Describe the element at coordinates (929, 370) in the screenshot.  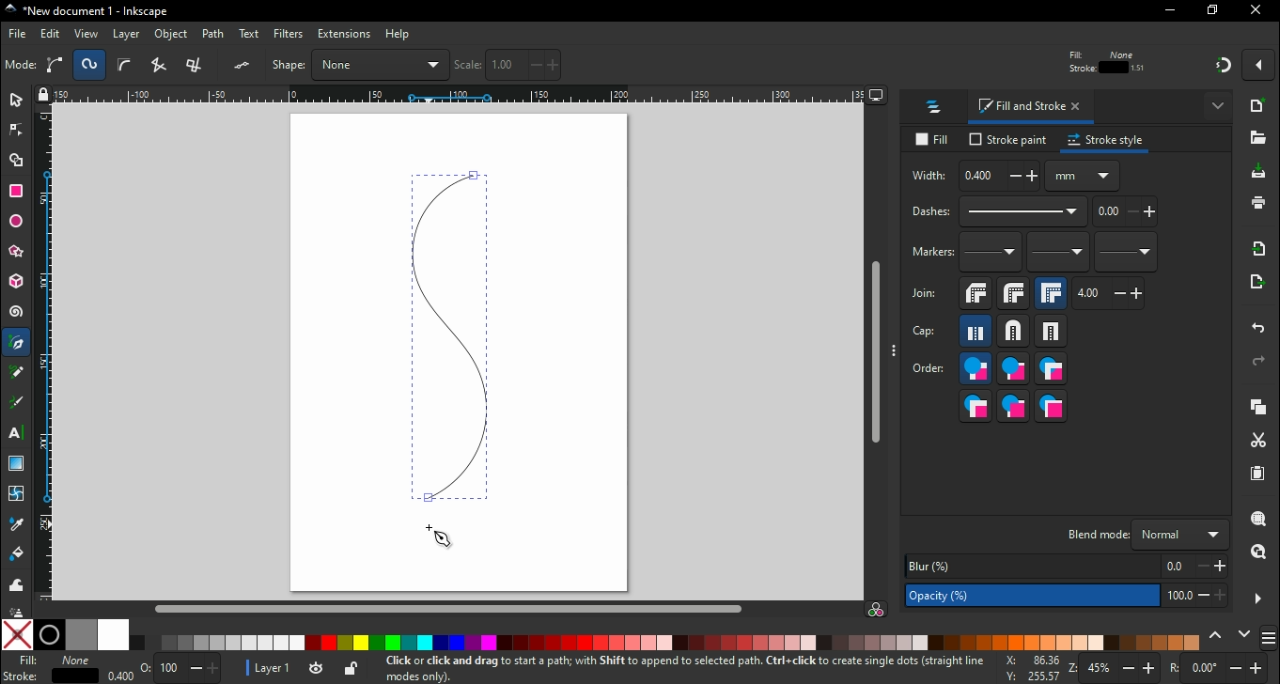
I see `order` at that location.